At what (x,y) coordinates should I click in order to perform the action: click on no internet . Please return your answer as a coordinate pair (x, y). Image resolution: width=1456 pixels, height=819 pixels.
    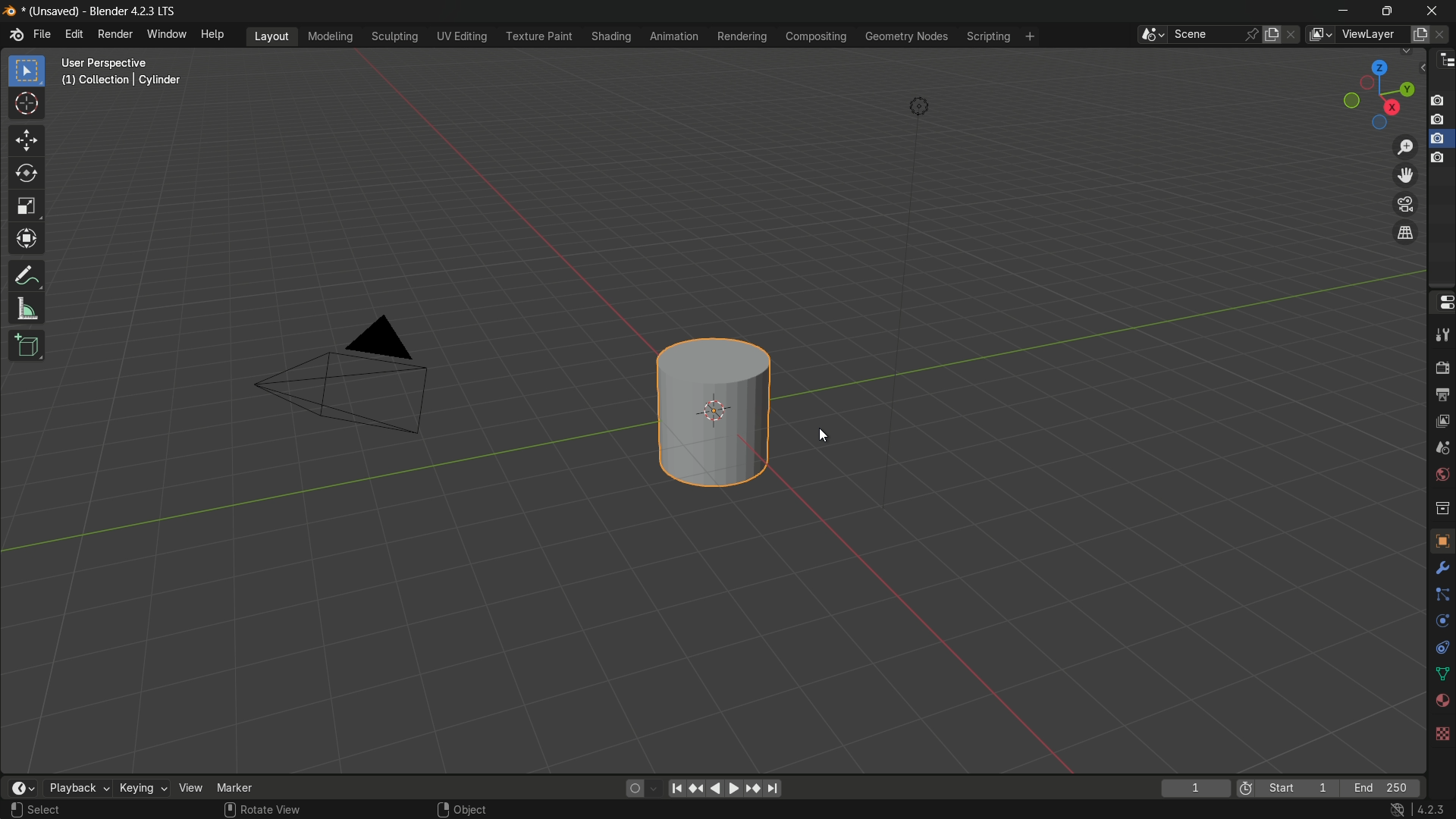
    Looking at the image, I should click on (1395, 809).